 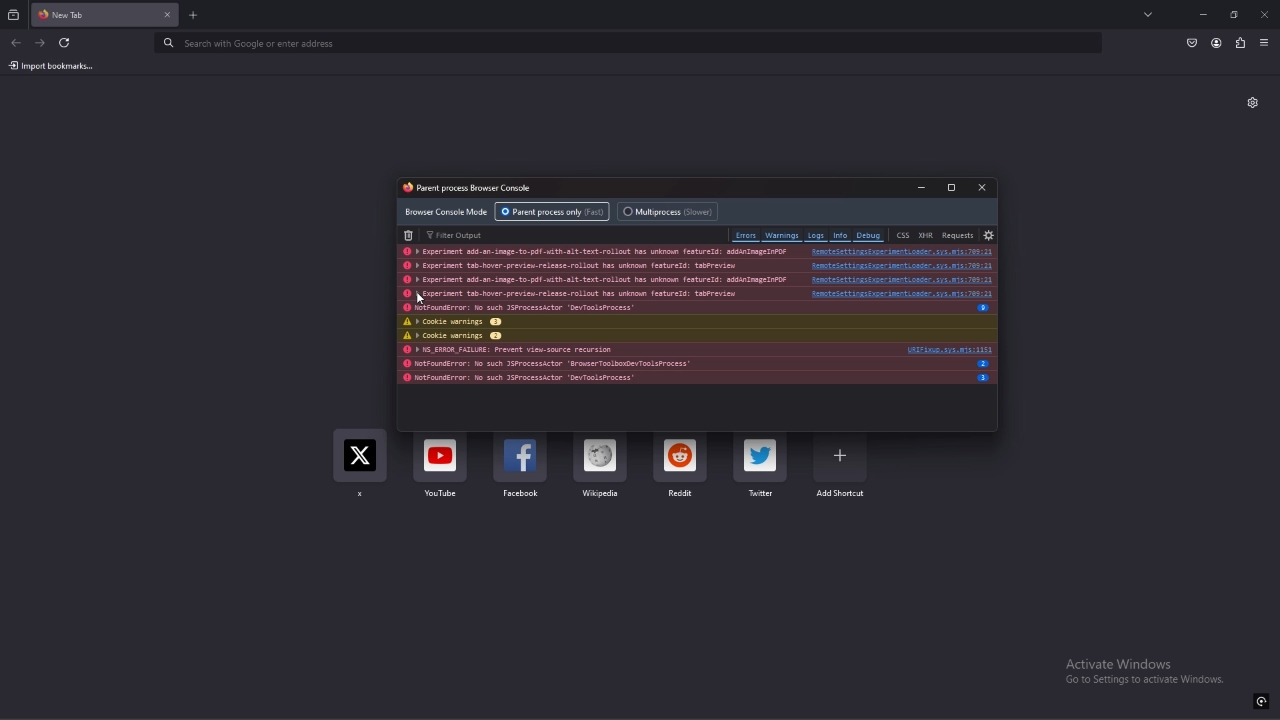 What do you see at coordinates (816, 236) in the screenshot?
I see `logs` at bounding box center [816, 236].